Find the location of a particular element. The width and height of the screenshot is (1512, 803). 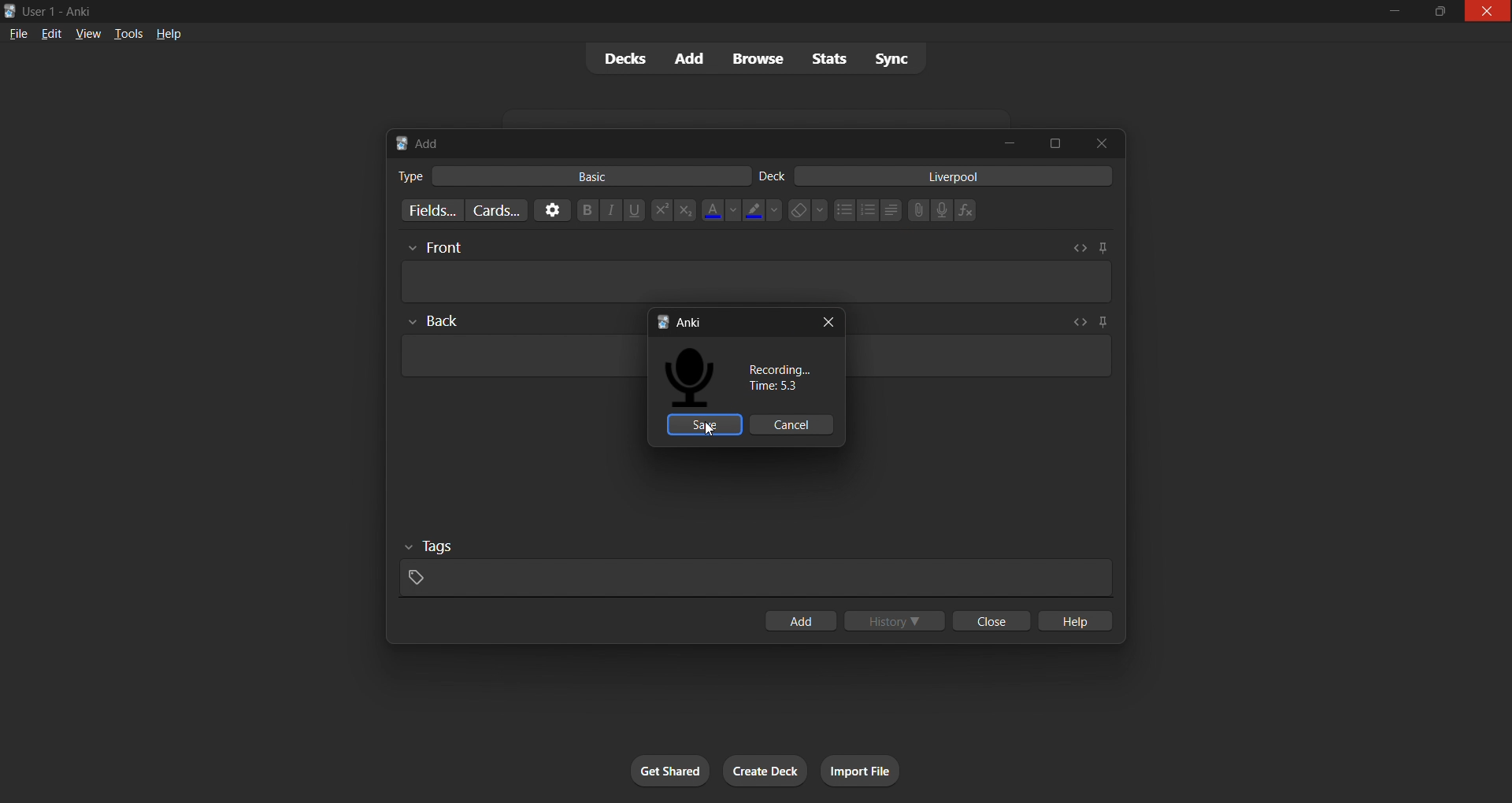

pin is located at coordinates (1097, 323).